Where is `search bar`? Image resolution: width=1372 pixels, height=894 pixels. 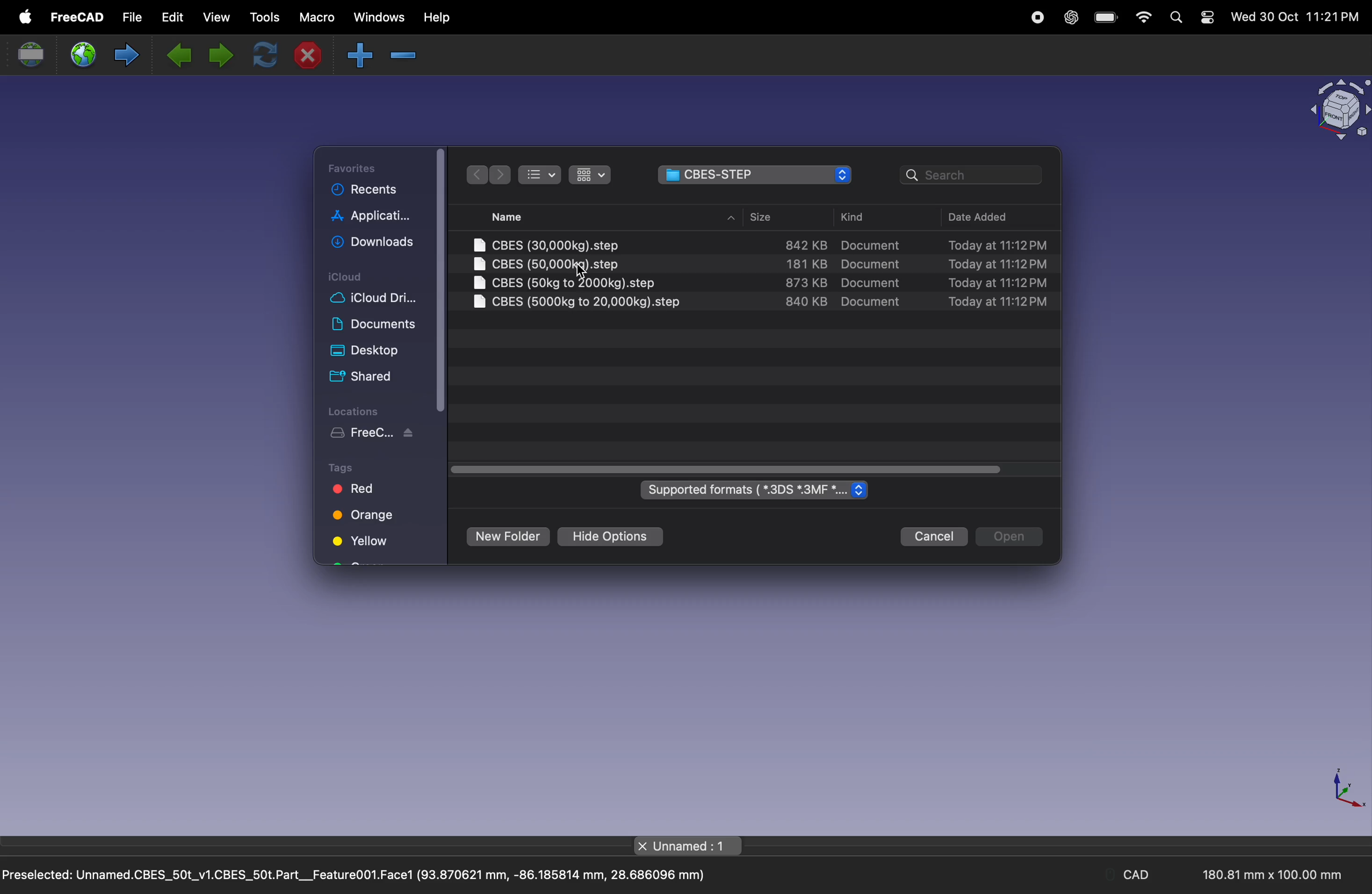
search bar is located at coordinates (967, 177).